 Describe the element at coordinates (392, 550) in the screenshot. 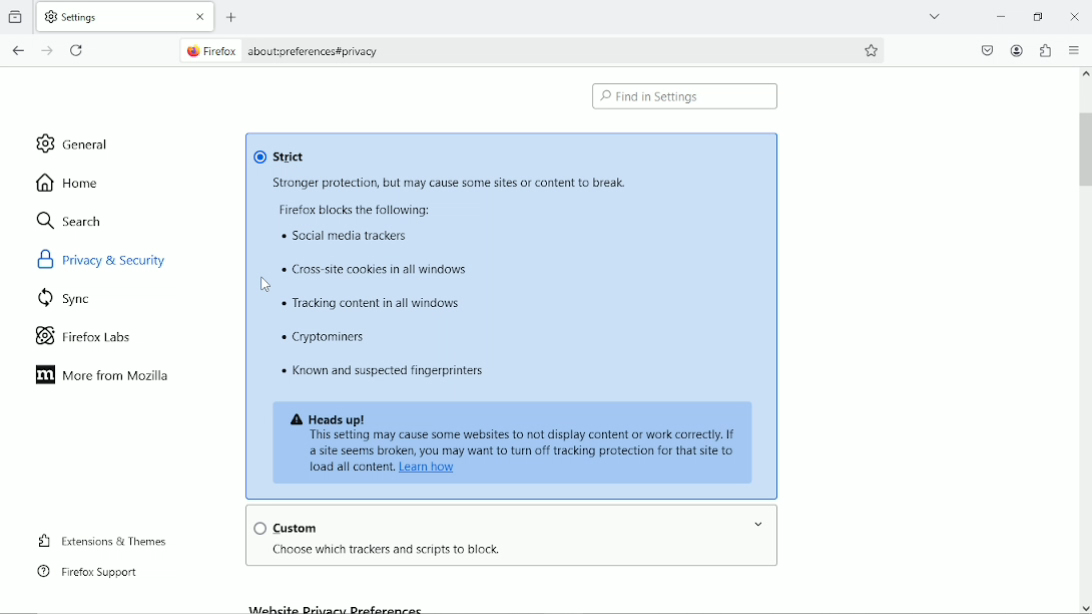

I see `text` at that location.